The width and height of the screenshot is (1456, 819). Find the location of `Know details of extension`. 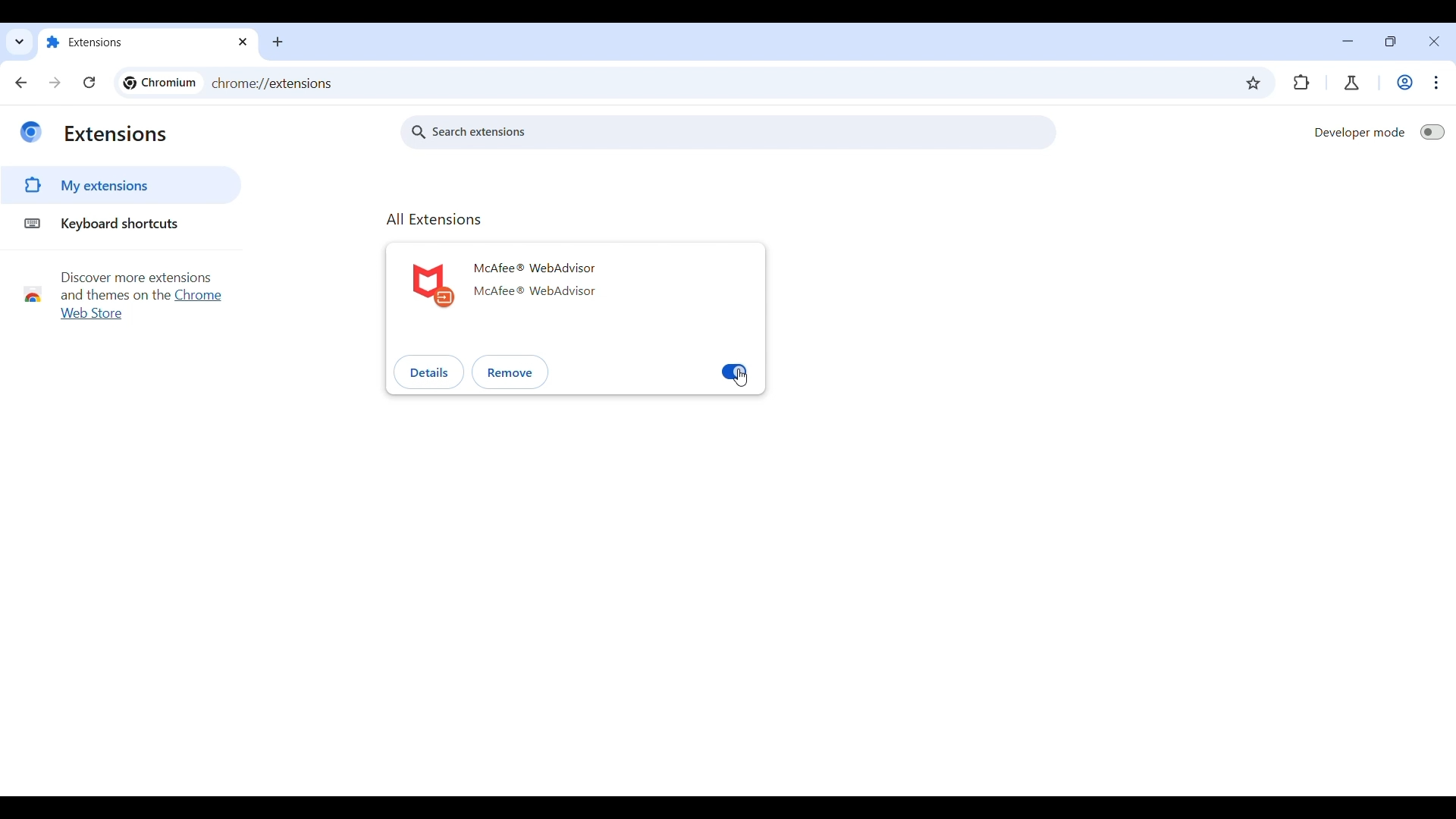

Know details of extension is located at coordinates (429, 371).